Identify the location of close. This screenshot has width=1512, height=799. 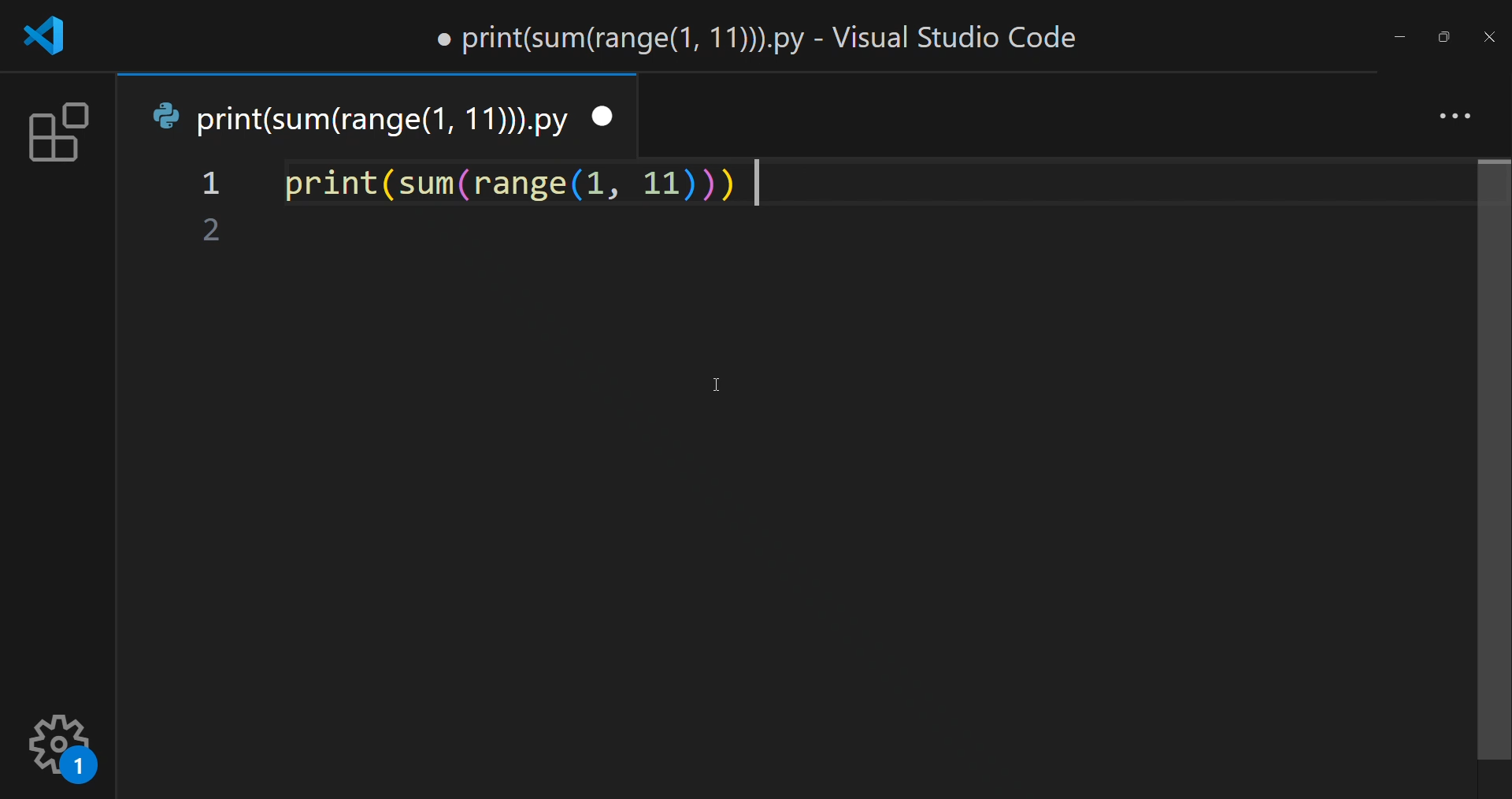
(1488, 38).